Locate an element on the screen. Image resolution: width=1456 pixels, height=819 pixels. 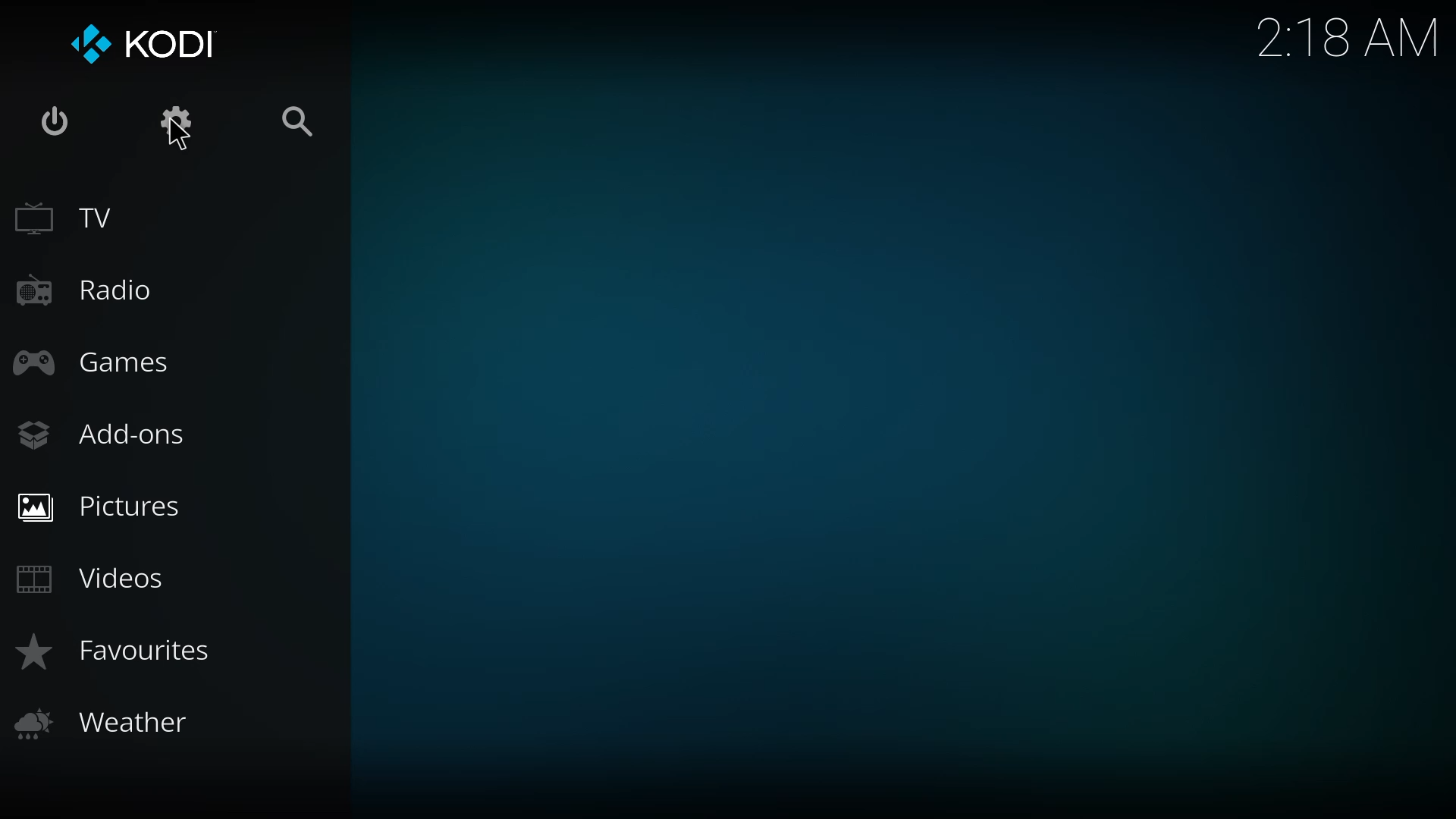
radio is located at coordinates (91, 287).